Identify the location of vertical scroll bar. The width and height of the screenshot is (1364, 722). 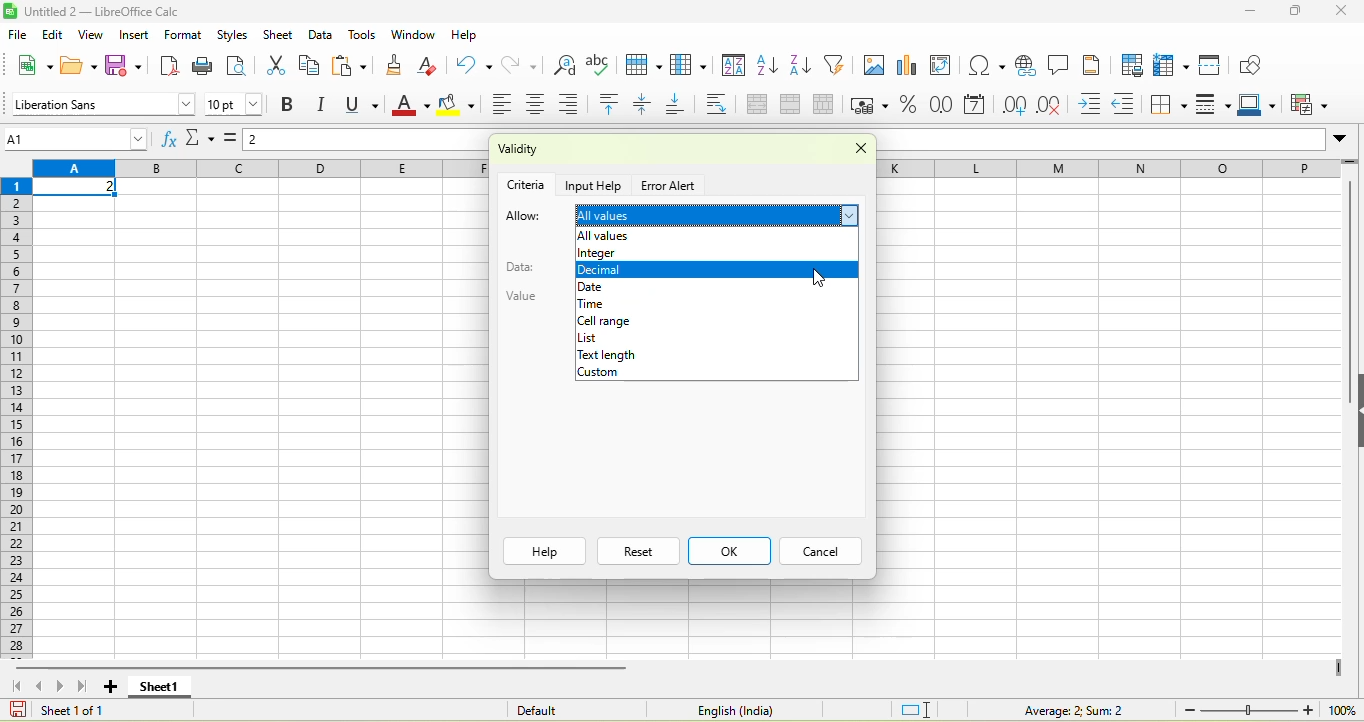
(1347, 300).